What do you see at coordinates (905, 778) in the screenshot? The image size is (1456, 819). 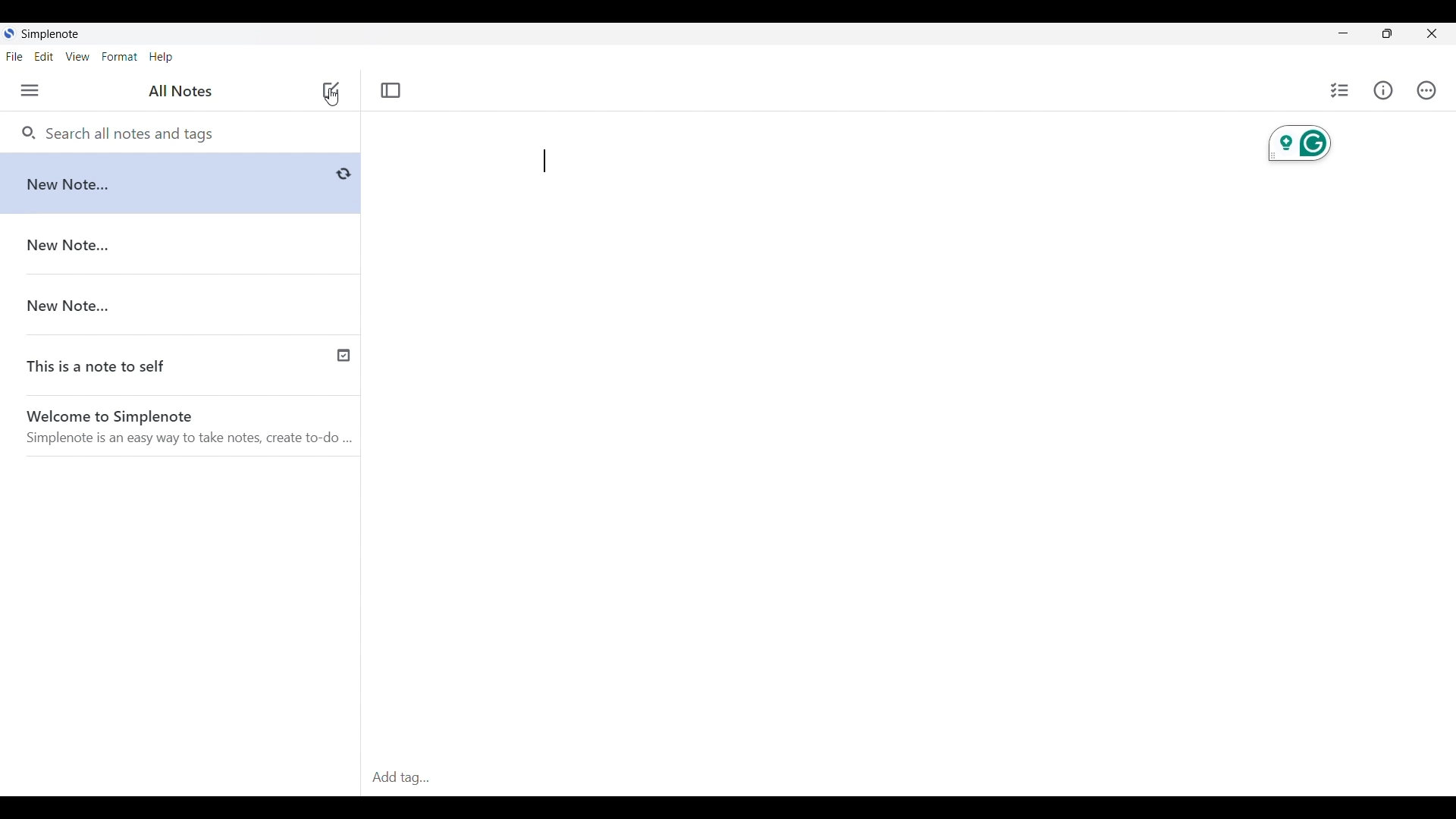 I see `Add tag` at bounding box center [905, 778].